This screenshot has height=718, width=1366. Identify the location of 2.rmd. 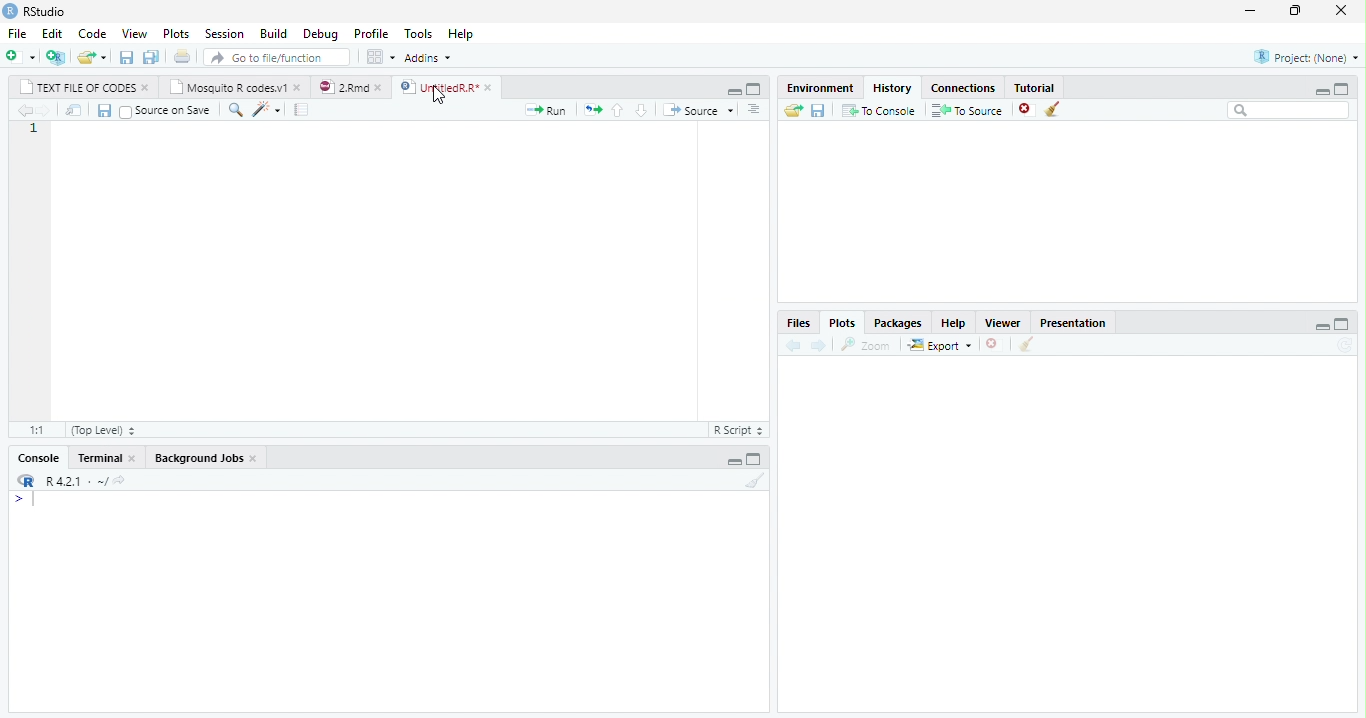
(344, 87).